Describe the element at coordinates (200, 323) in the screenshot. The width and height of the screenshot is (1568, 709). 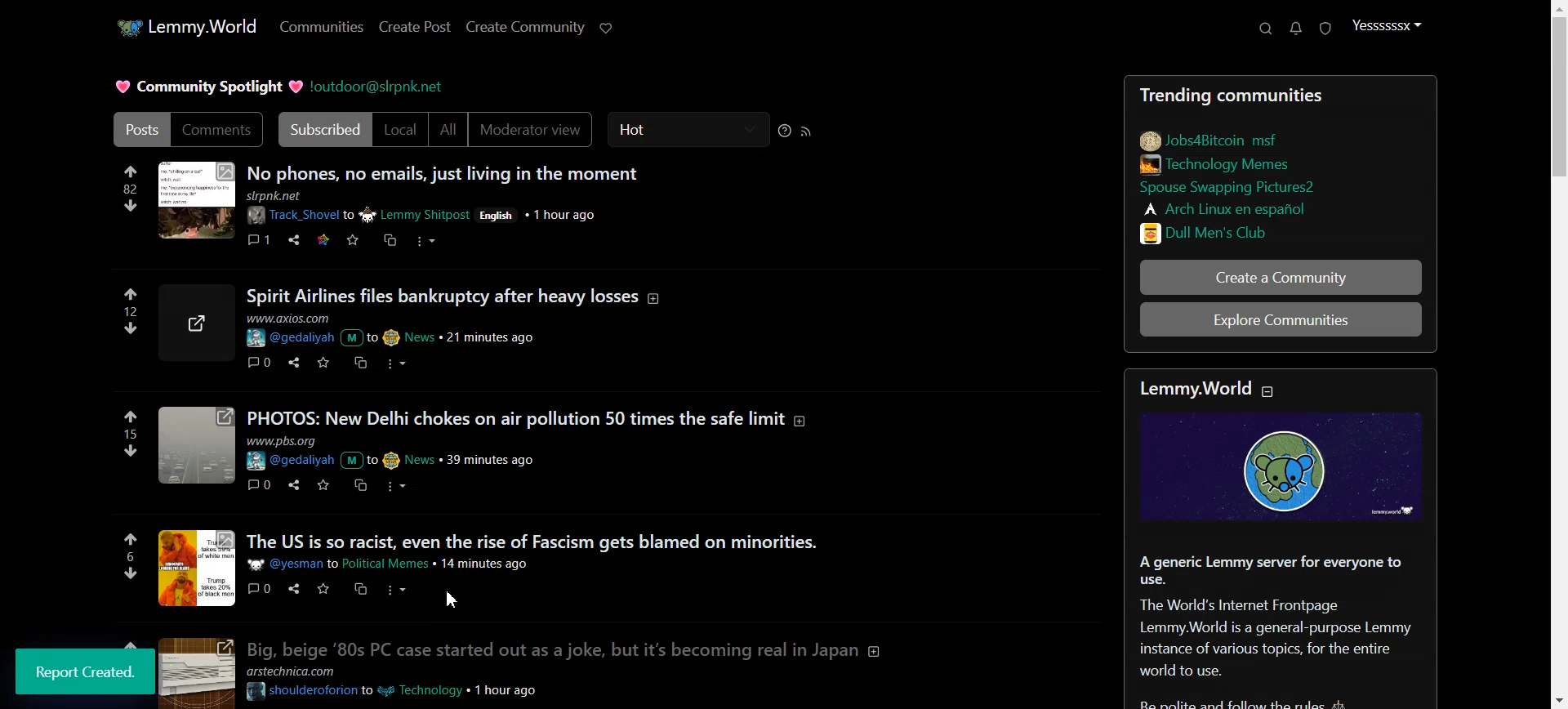
I see `image` at that location.